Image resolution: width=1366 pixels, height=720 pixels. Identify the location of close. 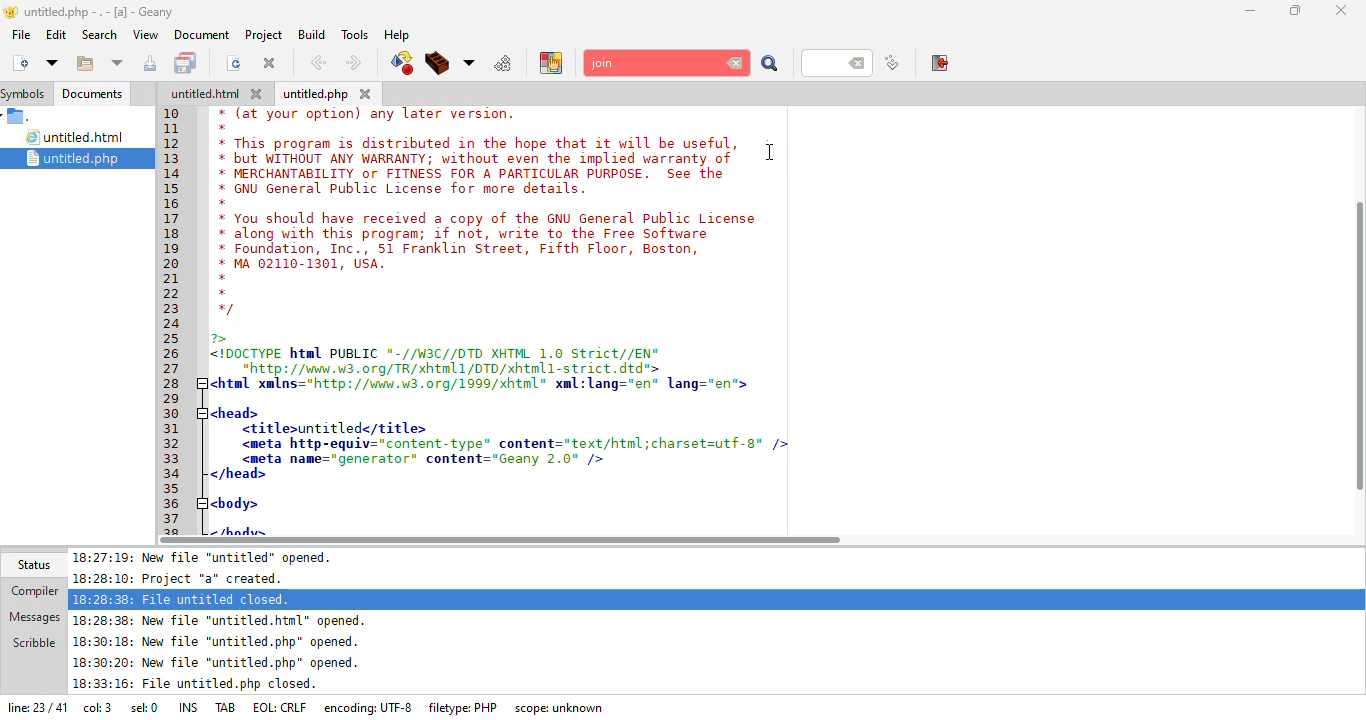
(260, 94).